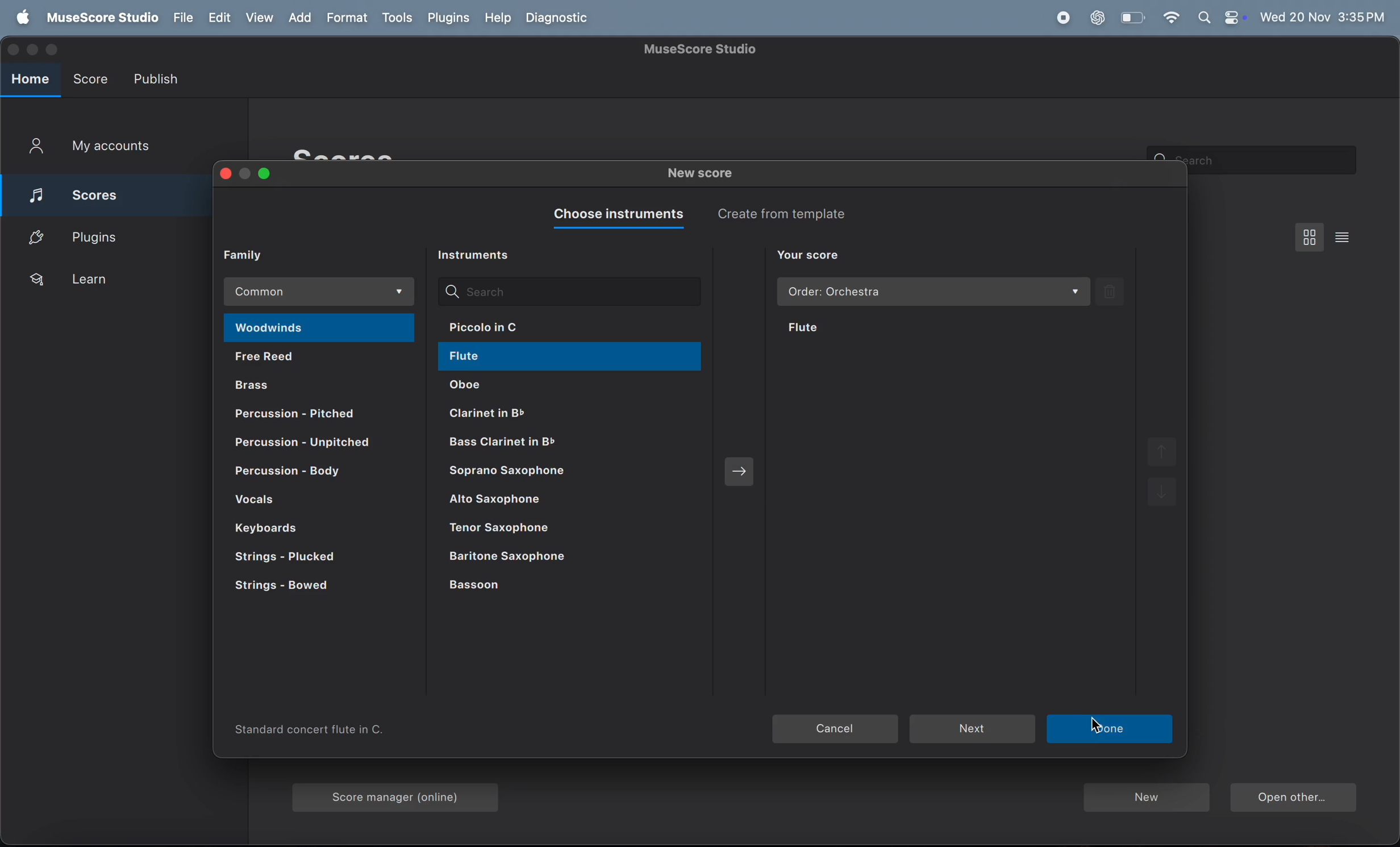  I want to click on family, so click(252, 254).